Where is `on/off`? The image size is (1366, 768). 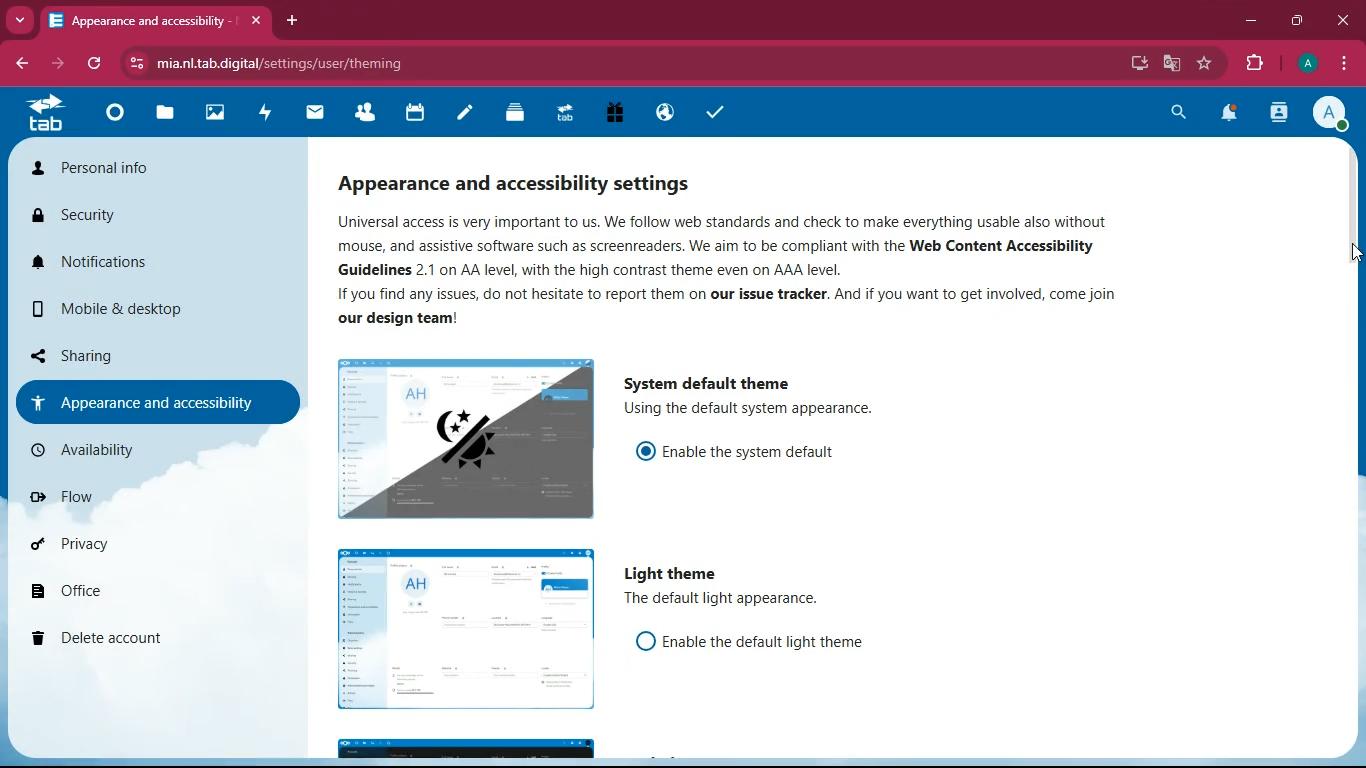 on/off is located at coordinates (637, 451).